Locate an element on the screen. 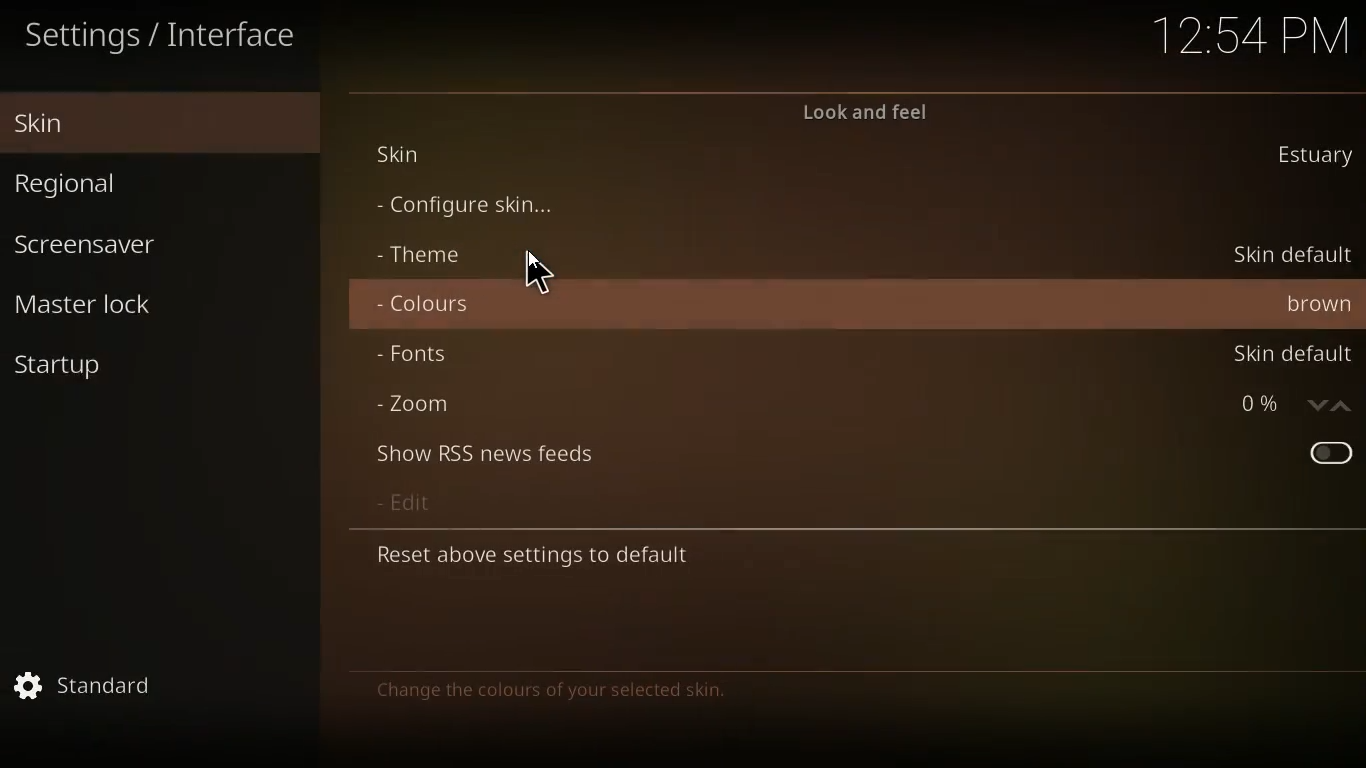  Reset above settings to default is located at coordinates (540, 560).